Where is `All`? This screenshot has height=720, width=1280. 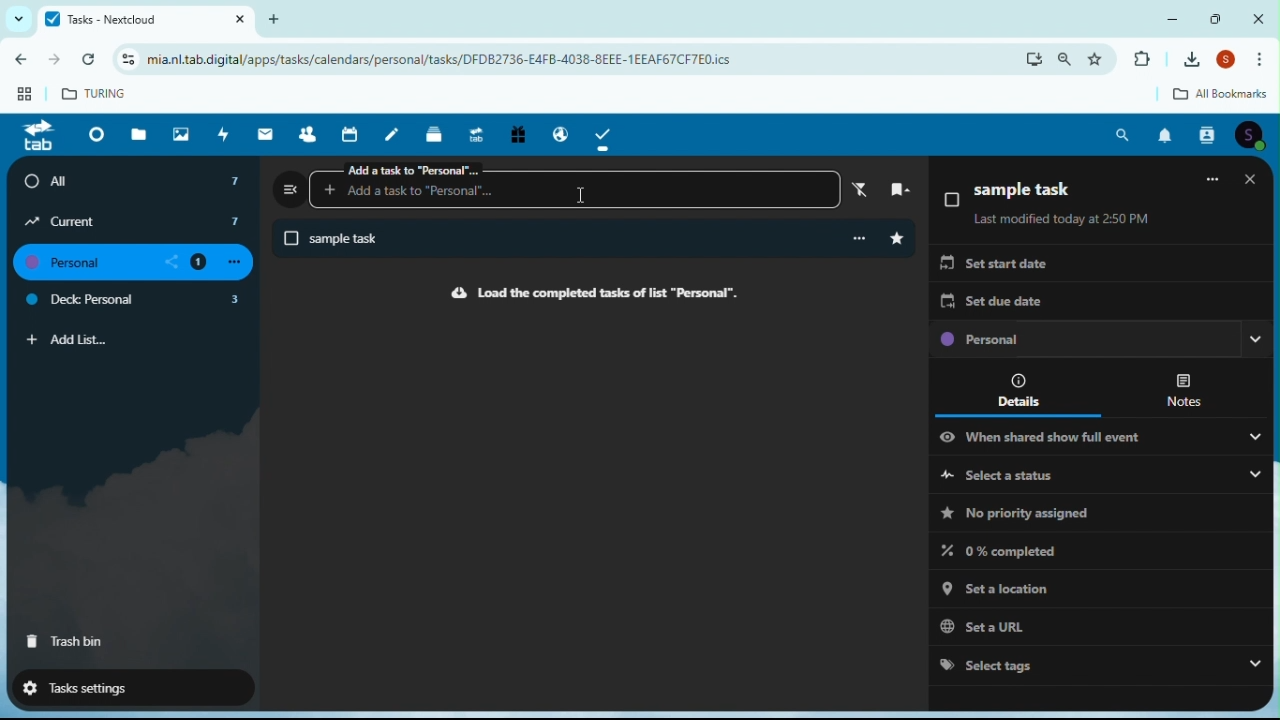 All is located at coordinates (136, 181).